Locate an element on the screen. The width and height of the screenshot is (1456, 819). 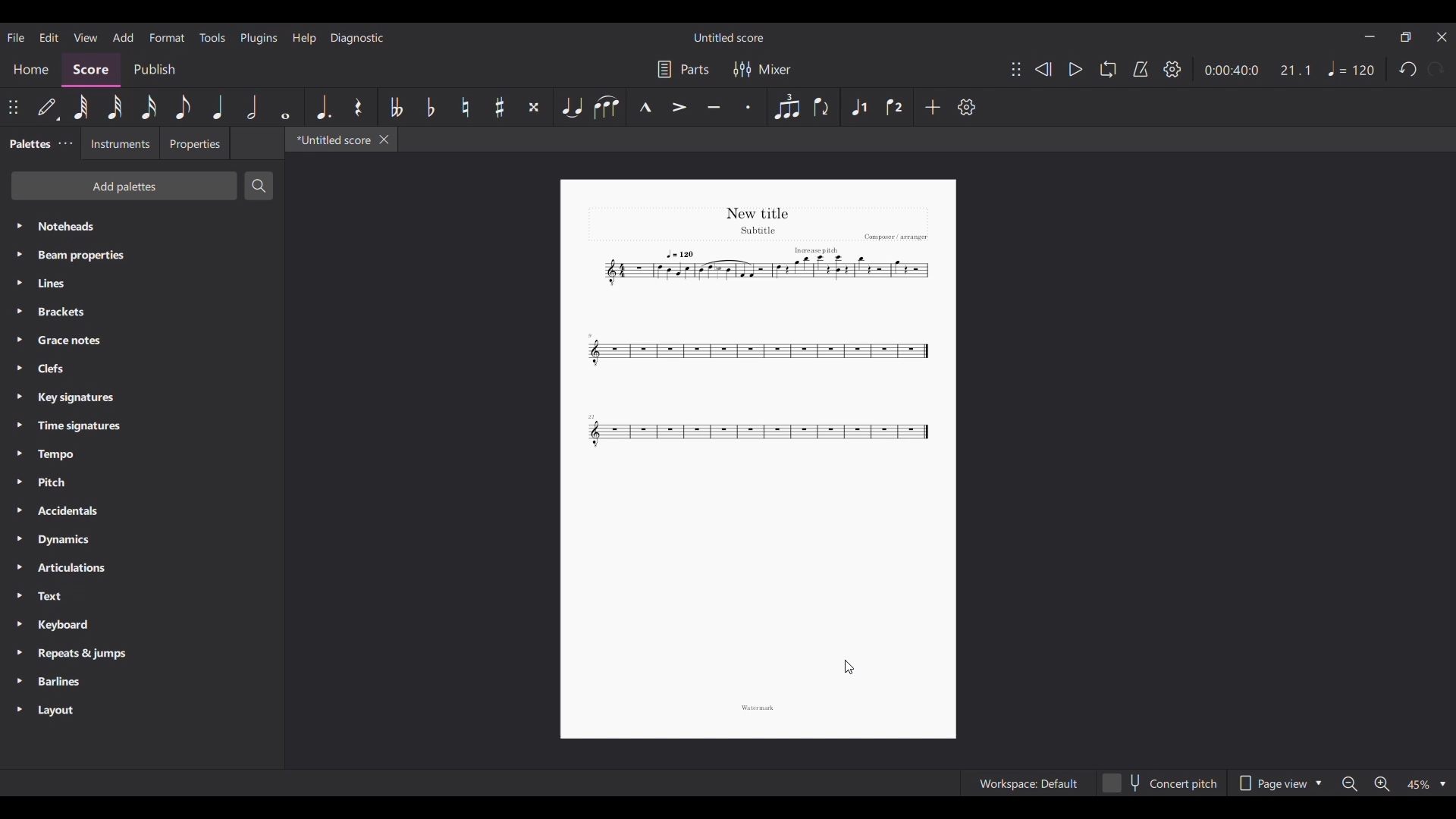
Mixer settings is located at coordinates (762, 69).